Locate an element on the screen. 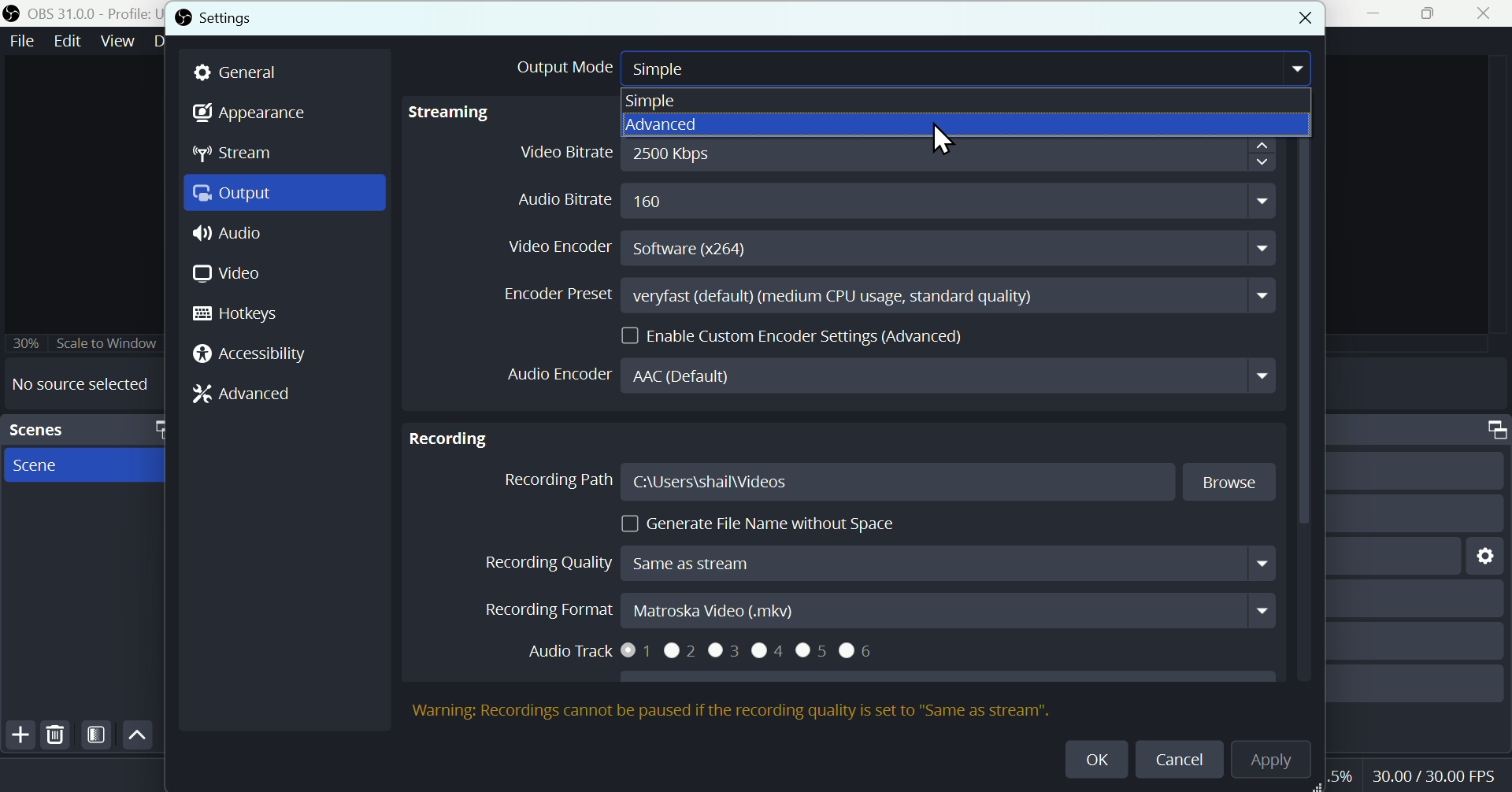 The image size is (1512, 792). close tab is located at coordinates (1302, 20).